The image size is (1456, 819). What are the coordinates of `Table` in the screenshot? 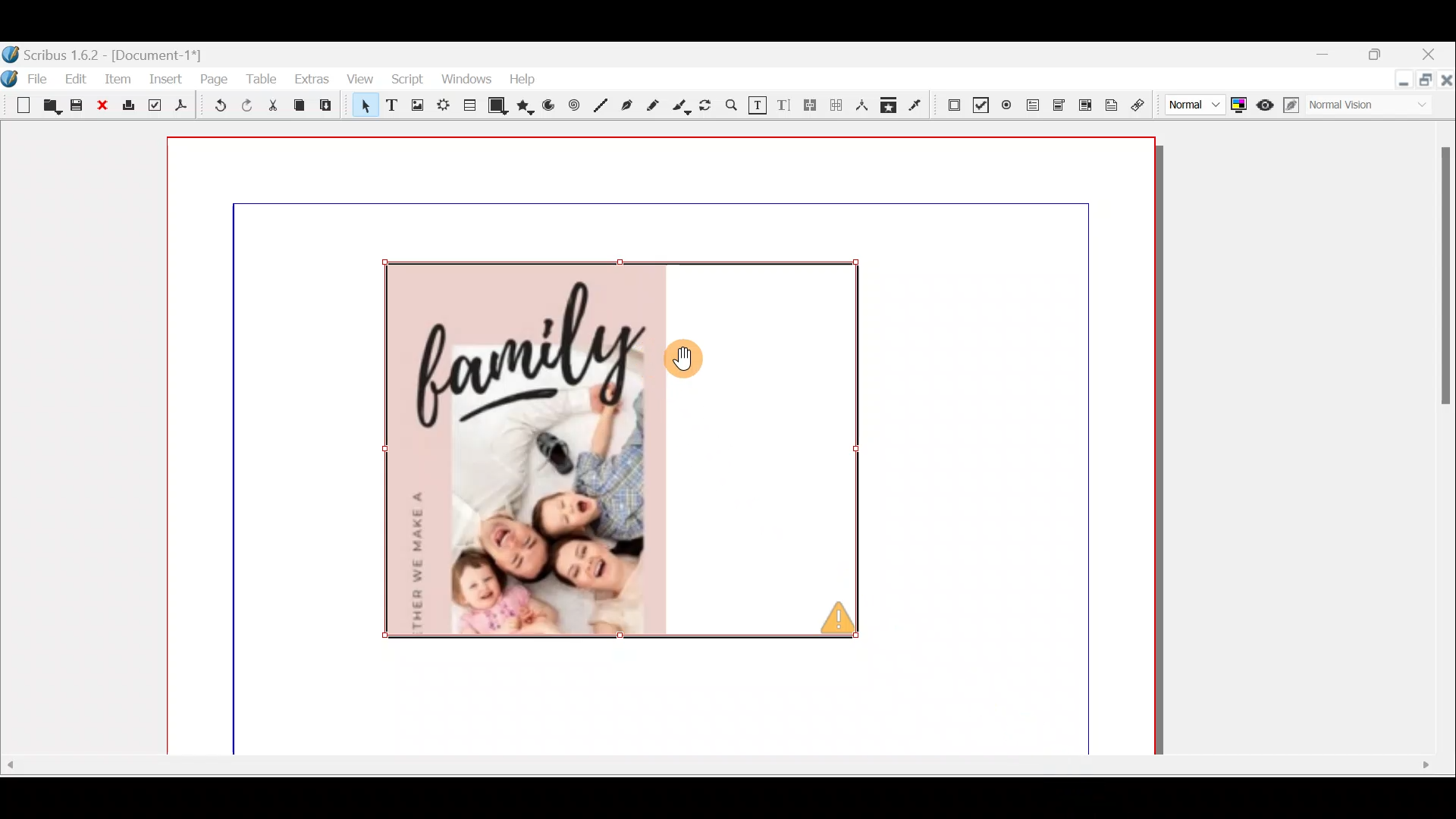 It's located at (262, 77).